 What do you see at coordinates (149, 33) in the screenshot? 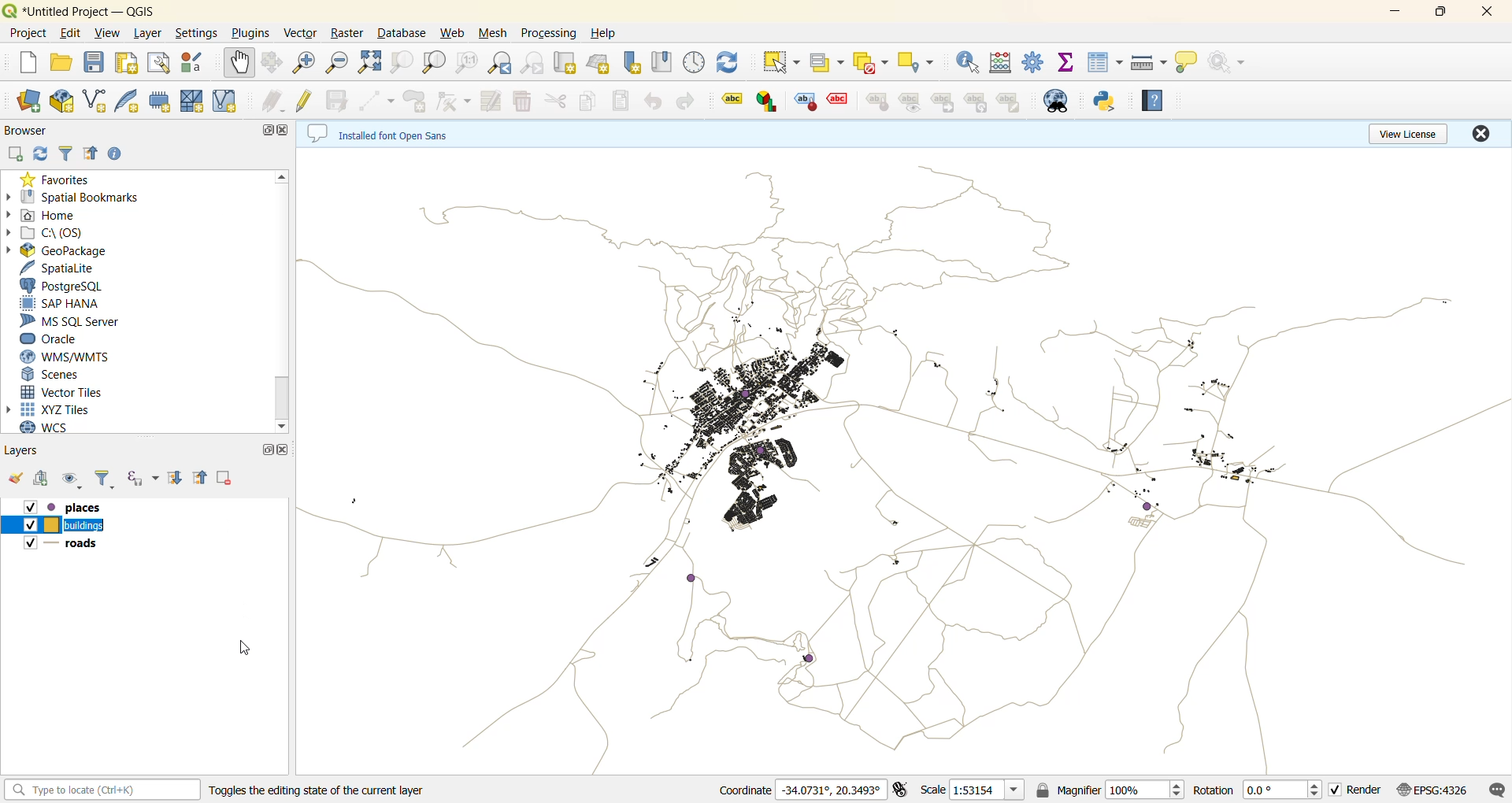
I see `layer` at bounding box center [149, 33].